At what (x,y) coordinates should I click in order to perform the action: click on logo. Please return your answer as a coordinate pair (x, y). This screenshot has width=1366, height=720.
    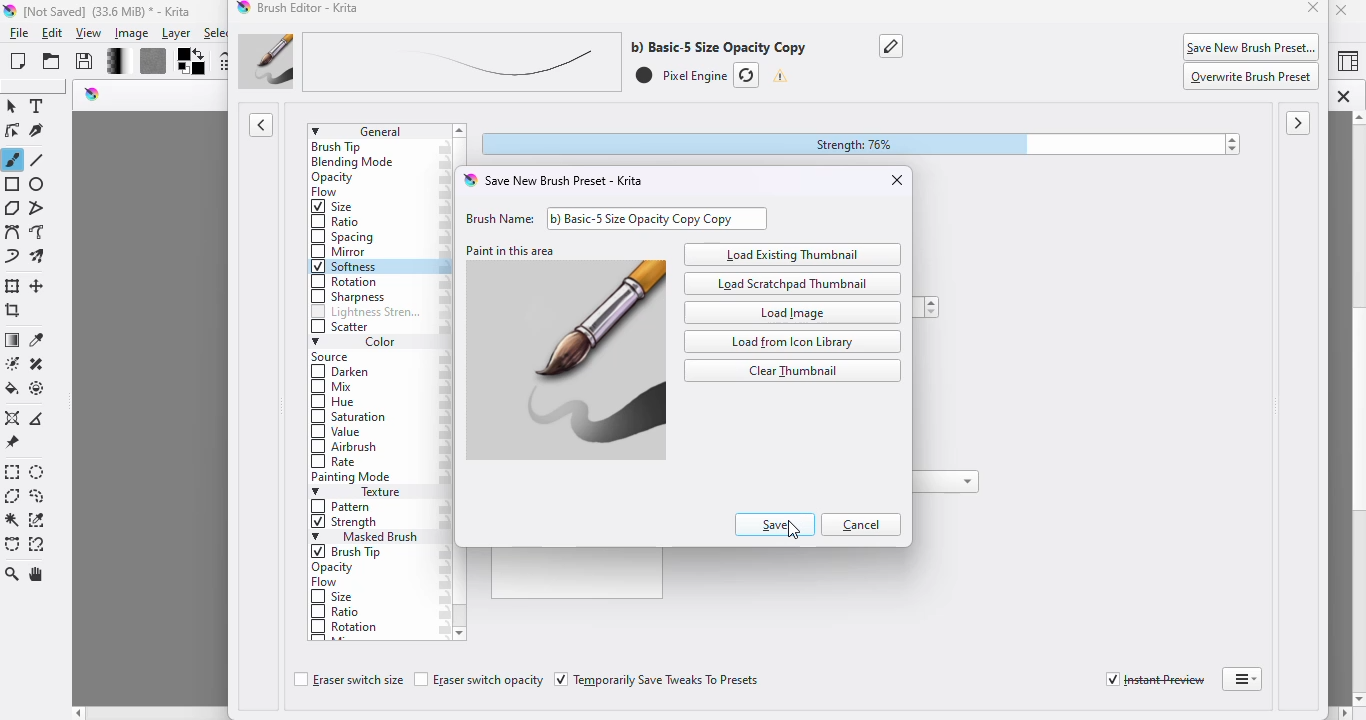
    Looking at the image, I should click on (93, 94).